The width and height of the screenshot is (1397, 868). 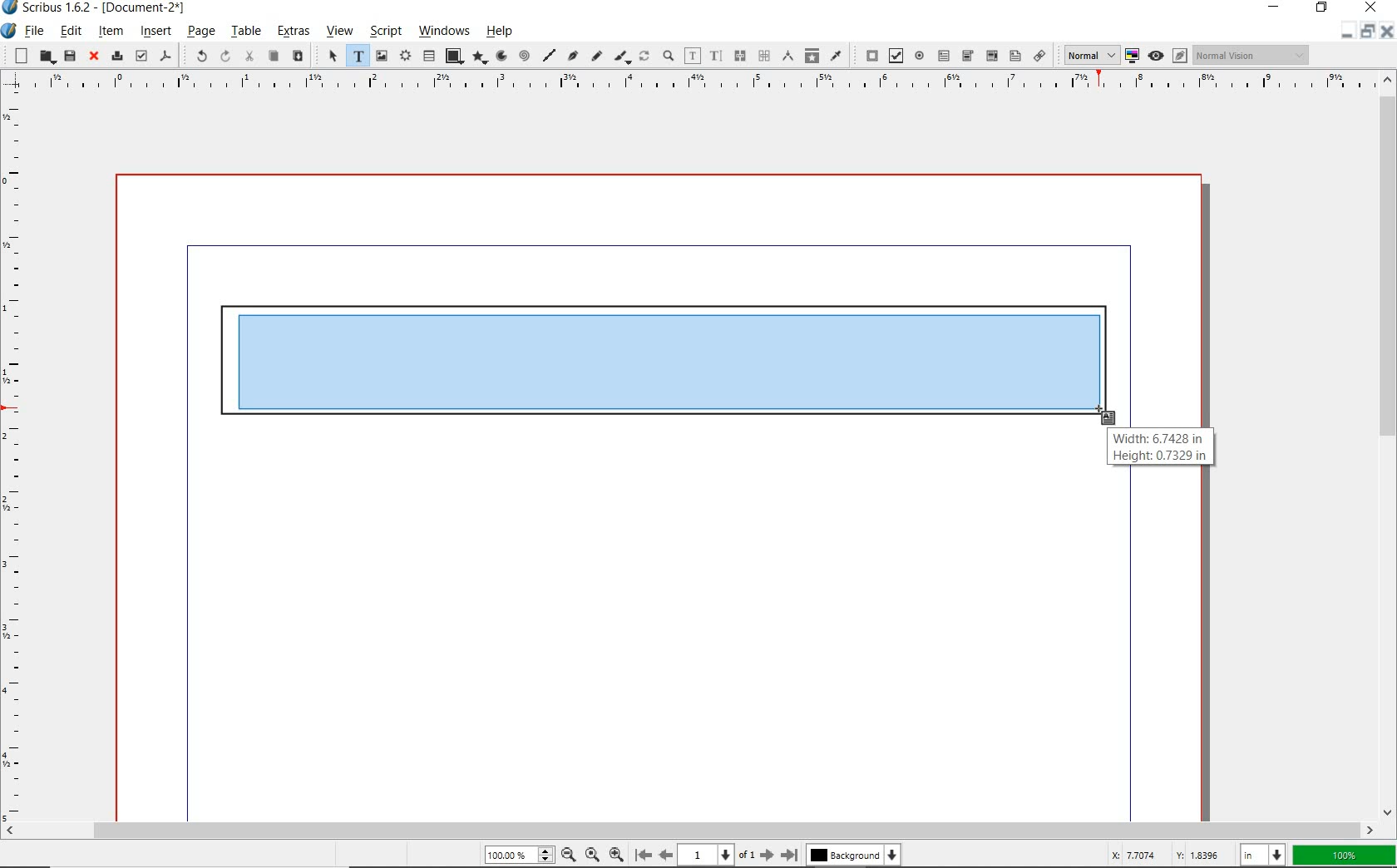 What do you see at coordinates (45, 57) in the screenshot?
I see `open` at bounding box center [45, 57].